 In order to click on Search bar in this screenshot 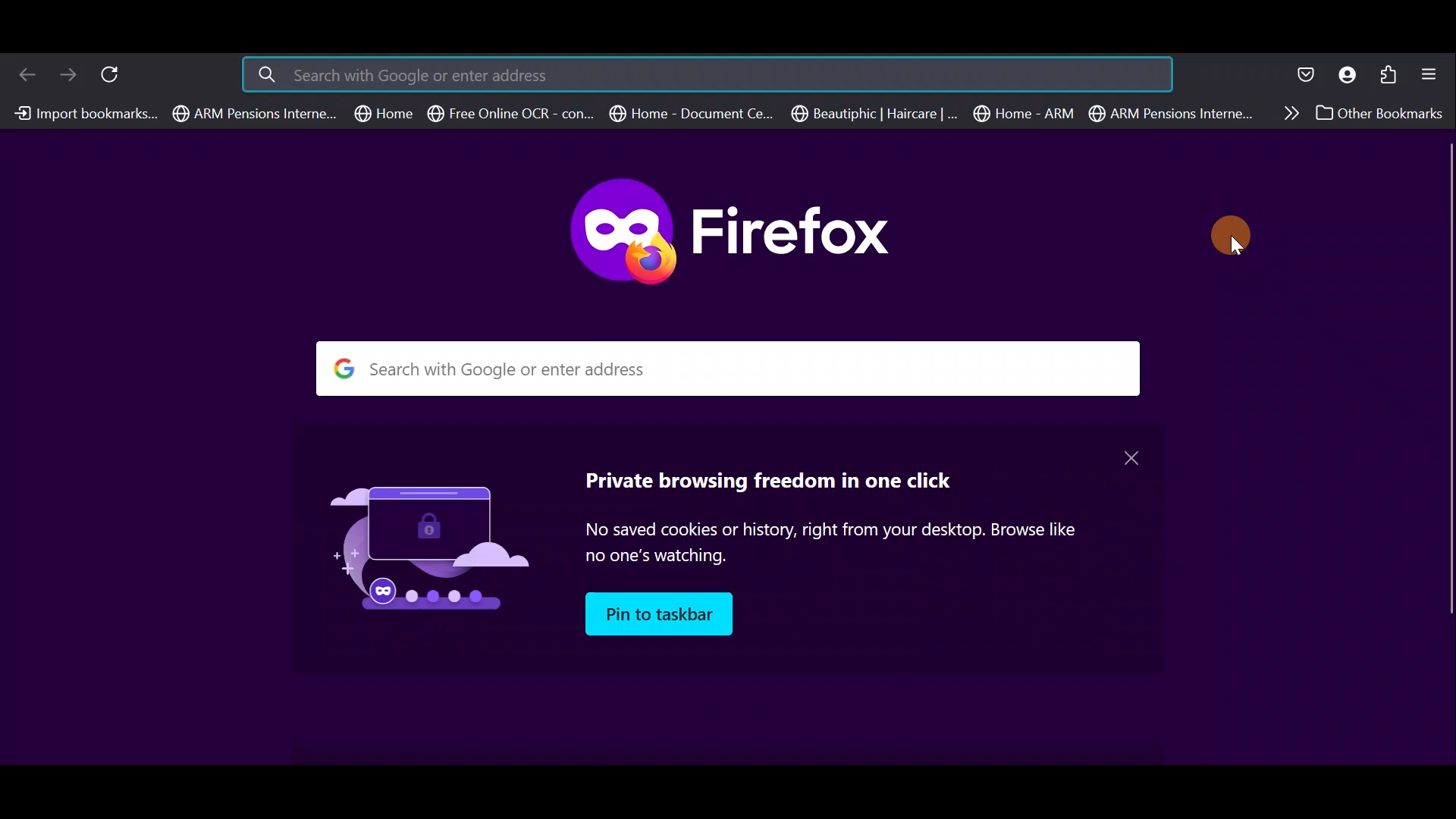, I will do `click(671, 74)`.